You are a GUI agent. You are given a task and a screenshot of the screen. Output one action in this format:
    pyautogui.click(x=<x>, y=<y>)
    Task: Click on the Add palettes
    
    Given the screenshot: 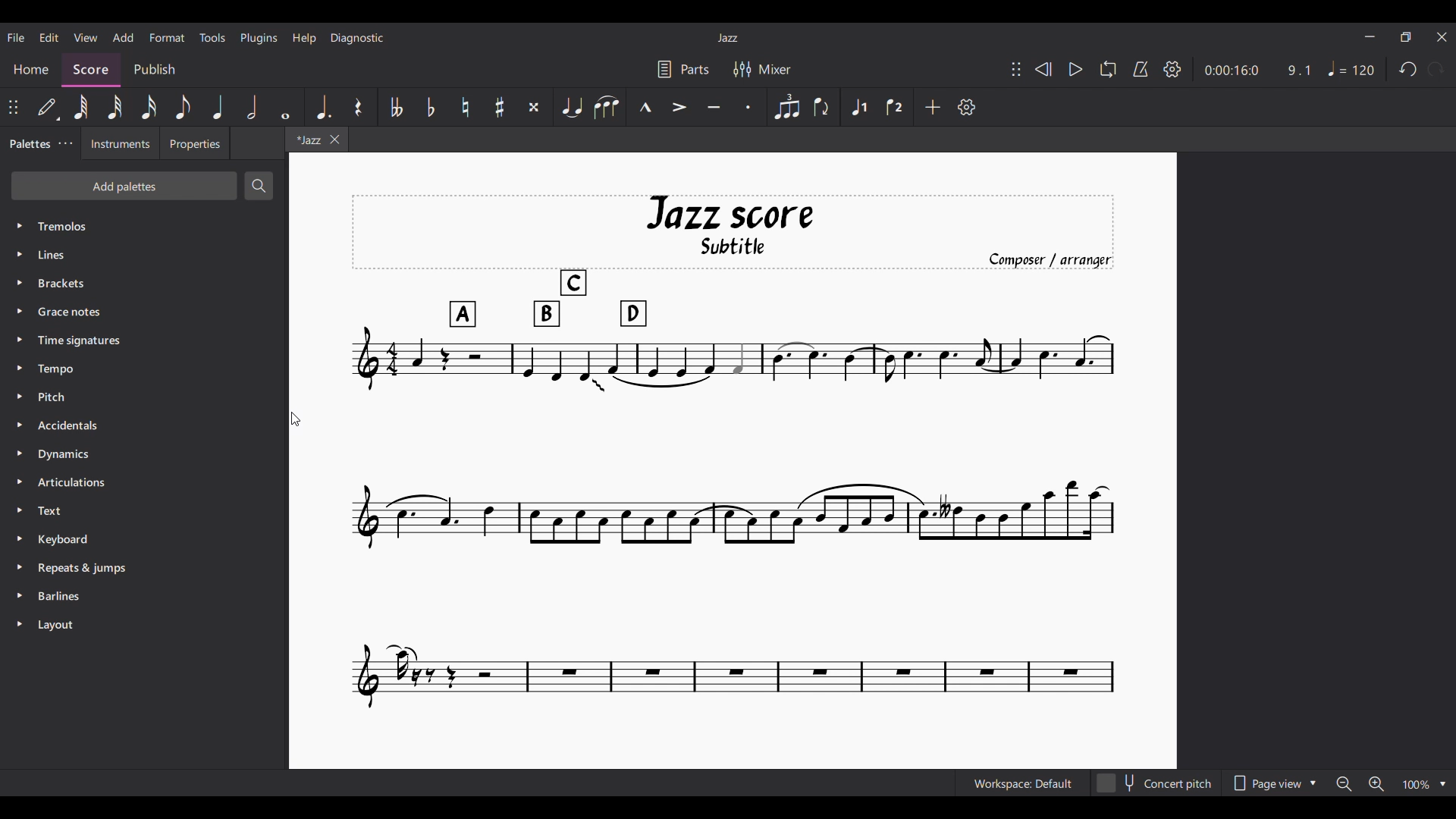 What is the action you would take?
    pyautogui.click(x=124, y=186)
    